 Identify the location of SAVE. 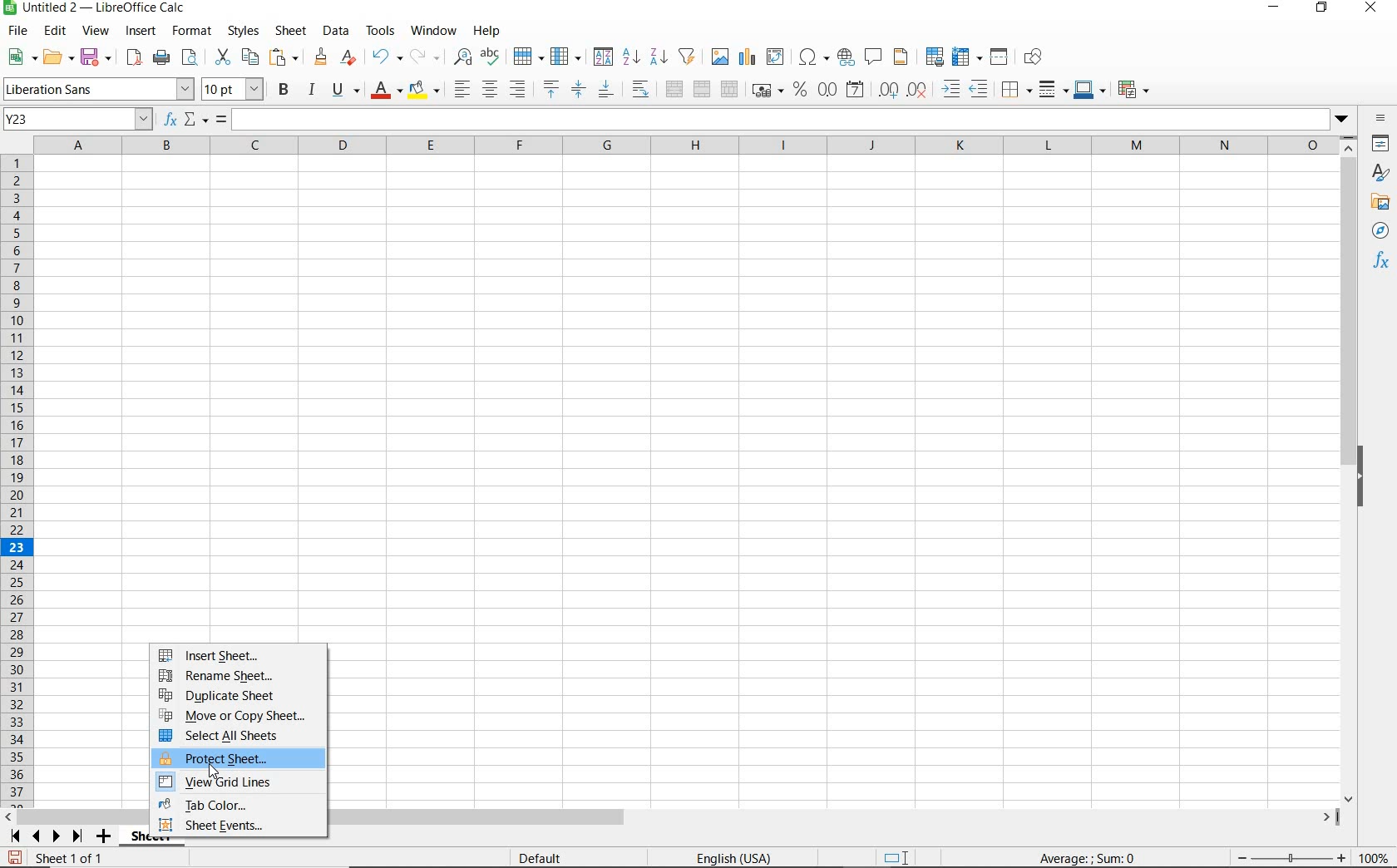
(96, 57).